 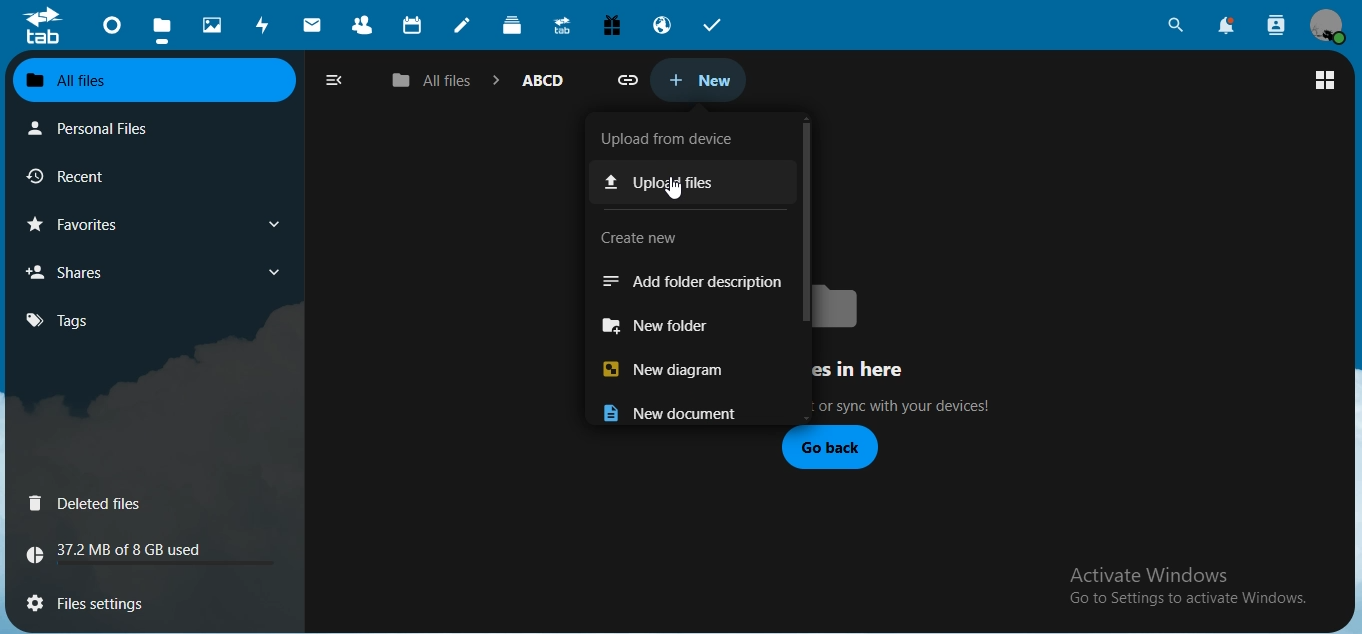 I want to click on photos, so click(x=213, y=23).